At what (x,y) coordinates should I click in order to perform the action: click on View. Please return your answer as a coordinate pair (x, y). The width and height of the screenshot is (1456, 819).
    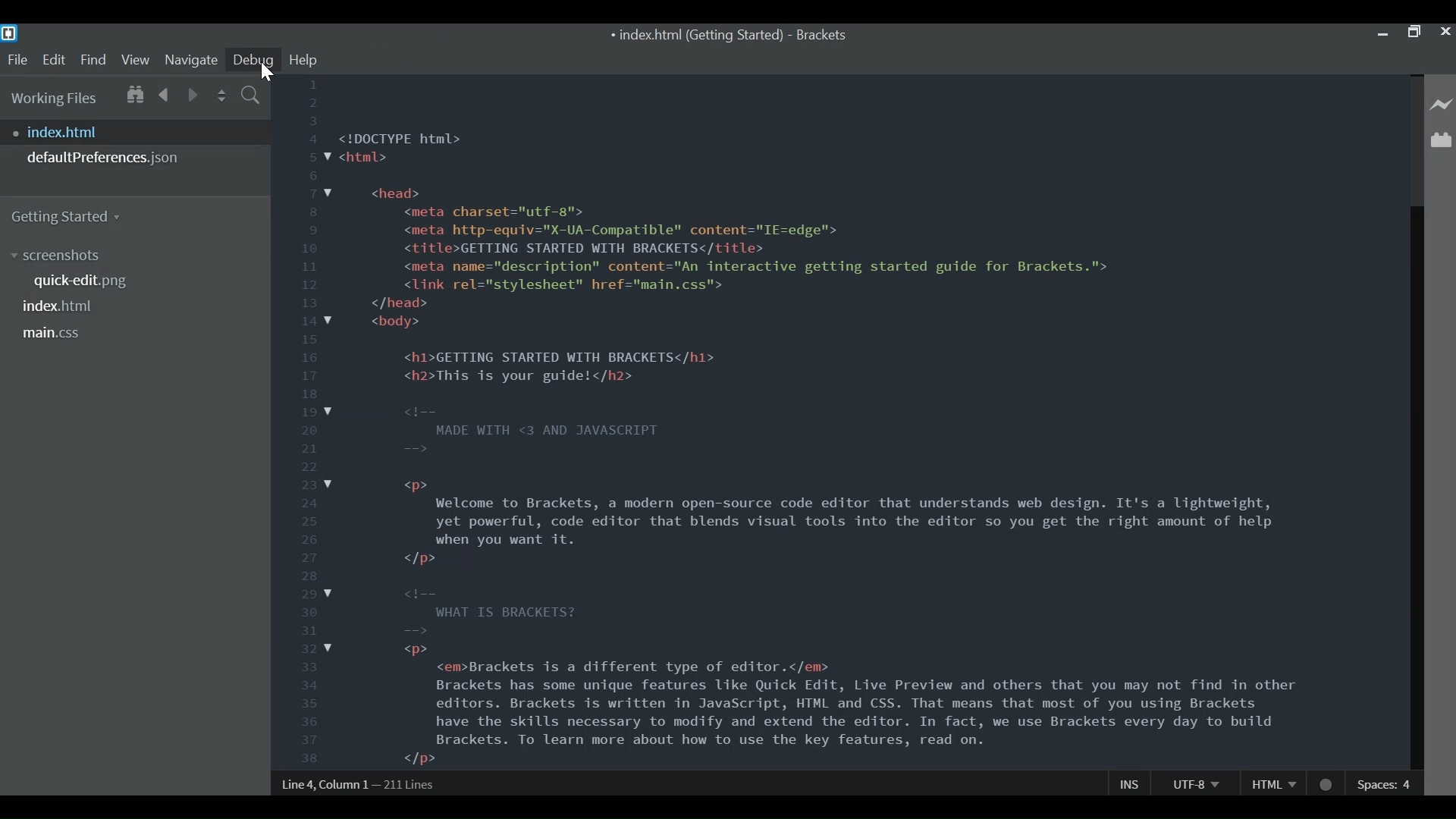
    Looking at the image, I should click on (136, 59).